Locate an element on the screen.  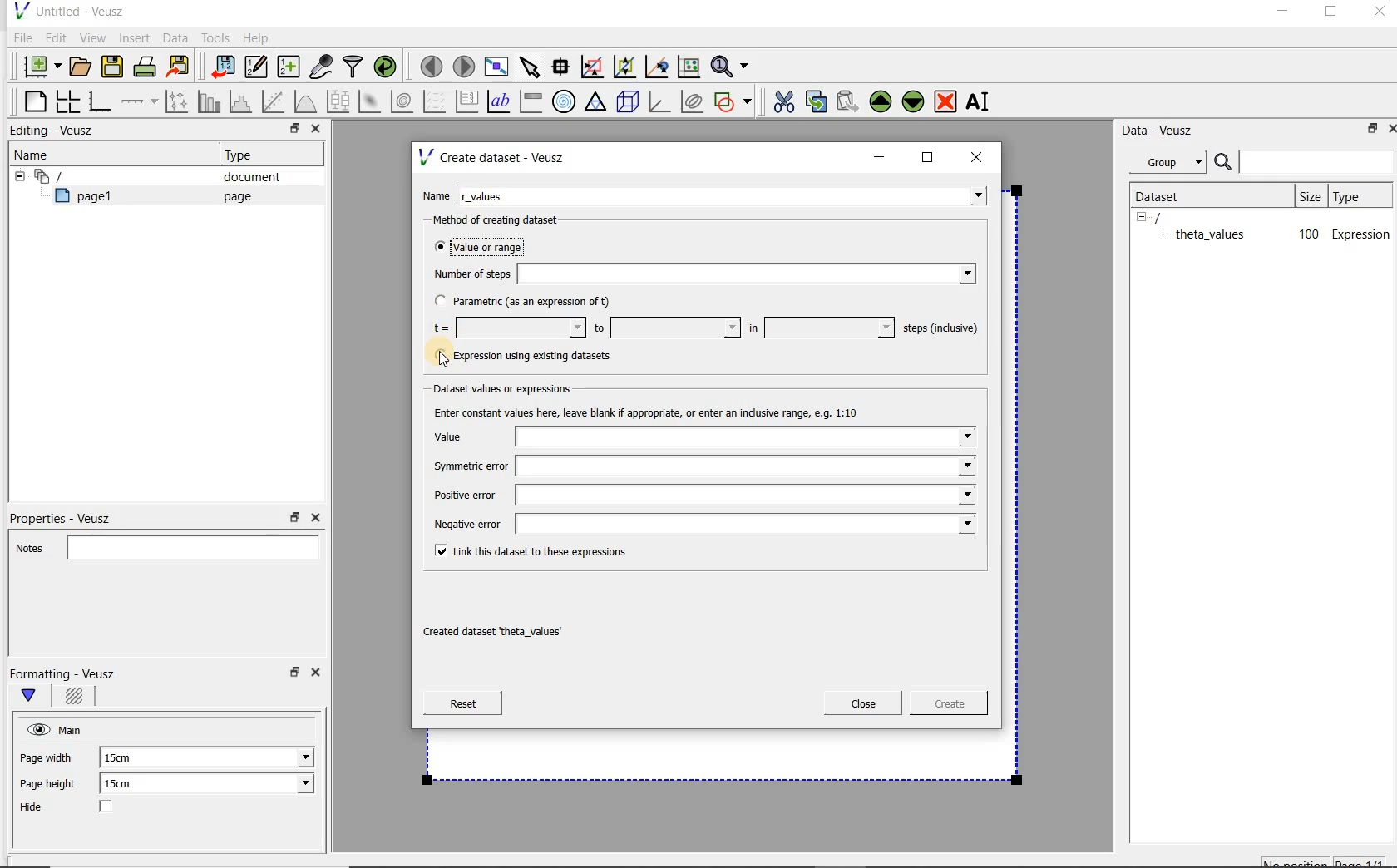
text label is located at coordinates (501, 101).